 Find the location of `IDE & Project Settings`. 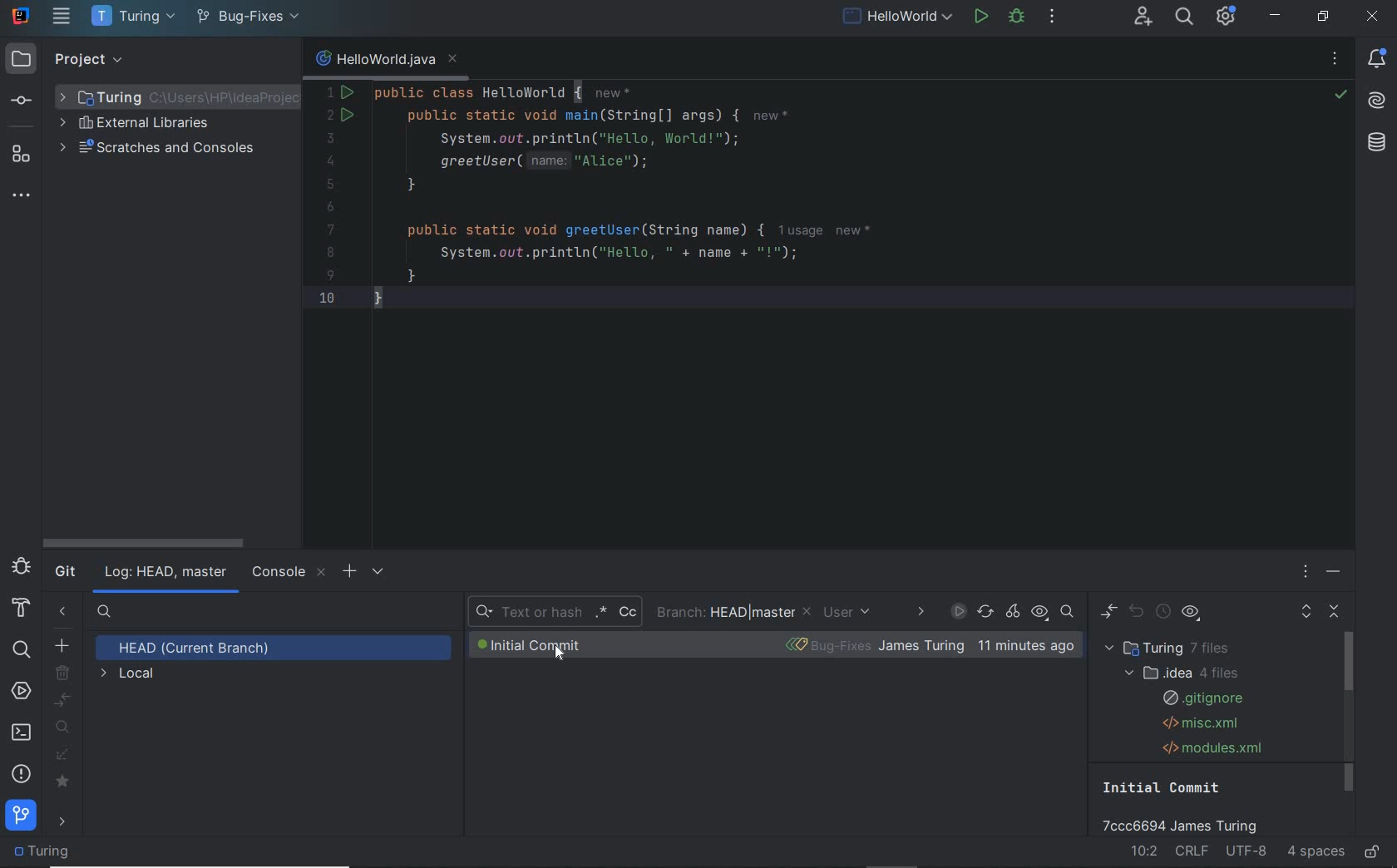

IDE & Project Settings is located at coordinates (1227, 17).